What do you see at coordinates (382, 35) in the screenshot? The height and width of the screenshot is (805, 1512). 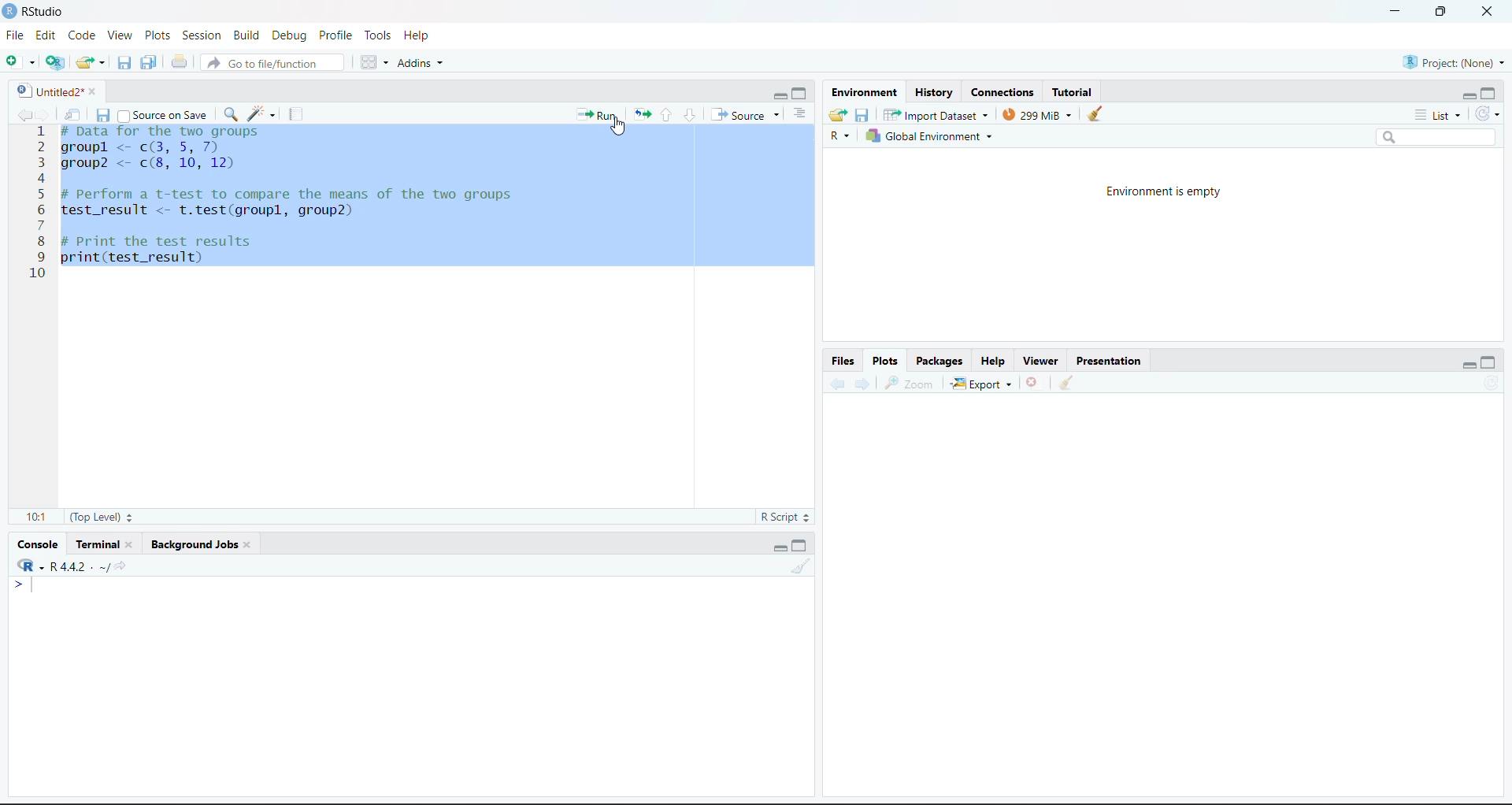 I see `Tools` at bounding box center [382, 35].